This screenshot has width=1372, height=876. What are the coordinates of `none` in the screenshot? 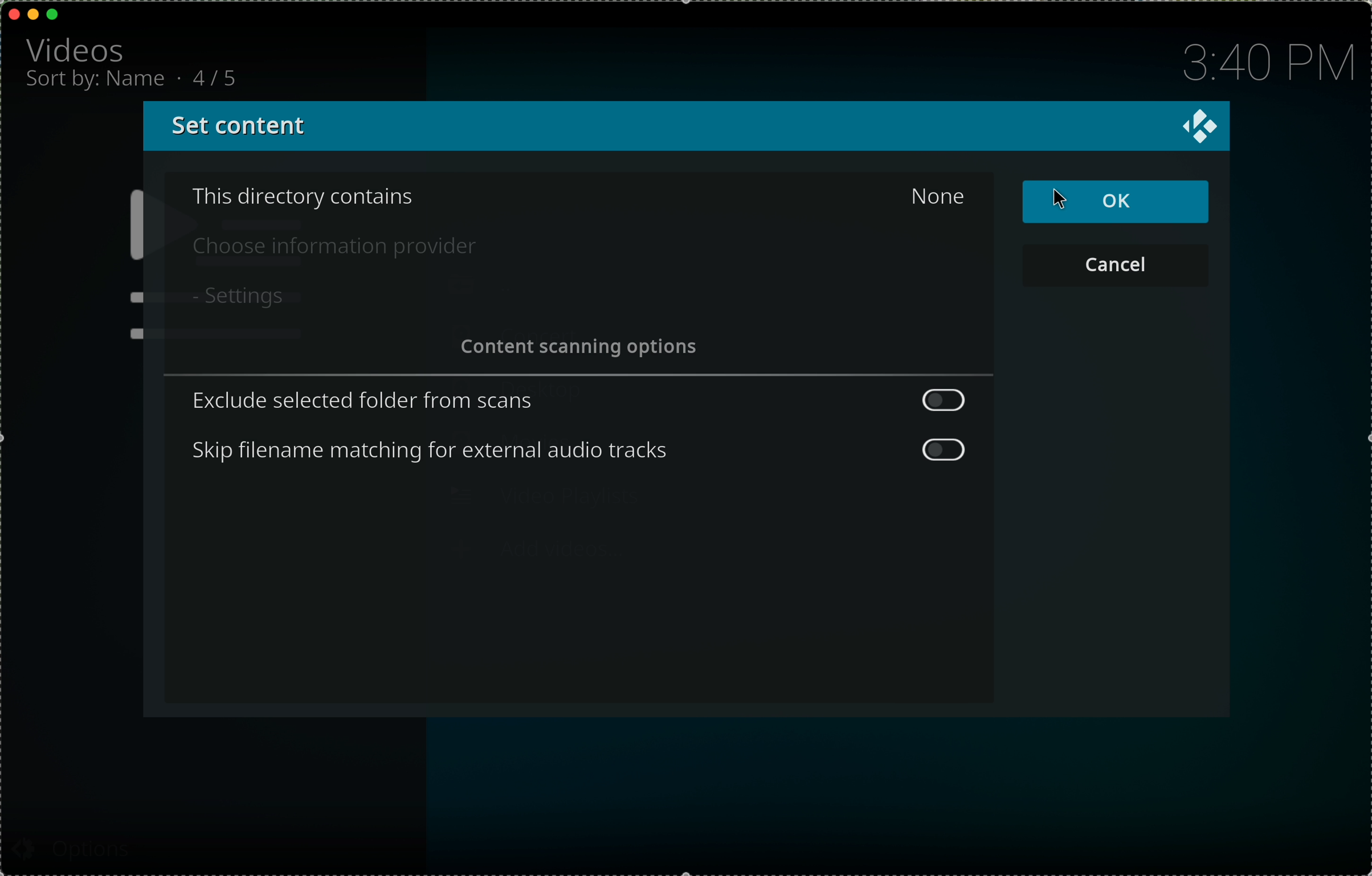 It's located at (938, 195).